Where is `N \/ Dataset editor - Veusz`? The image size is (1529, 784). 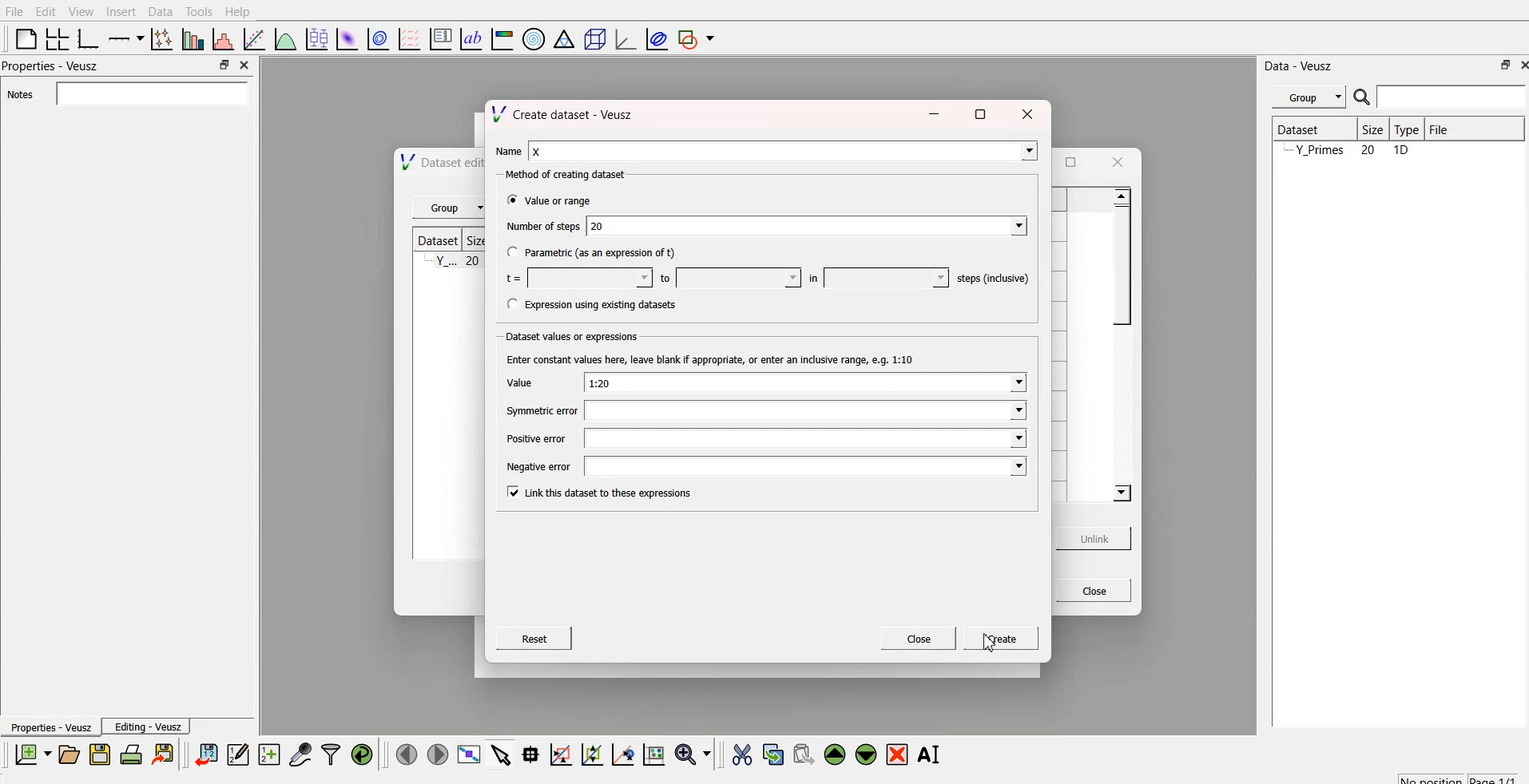 N \/ Dataset editor - Veusz is located at coordinates (433, 164).